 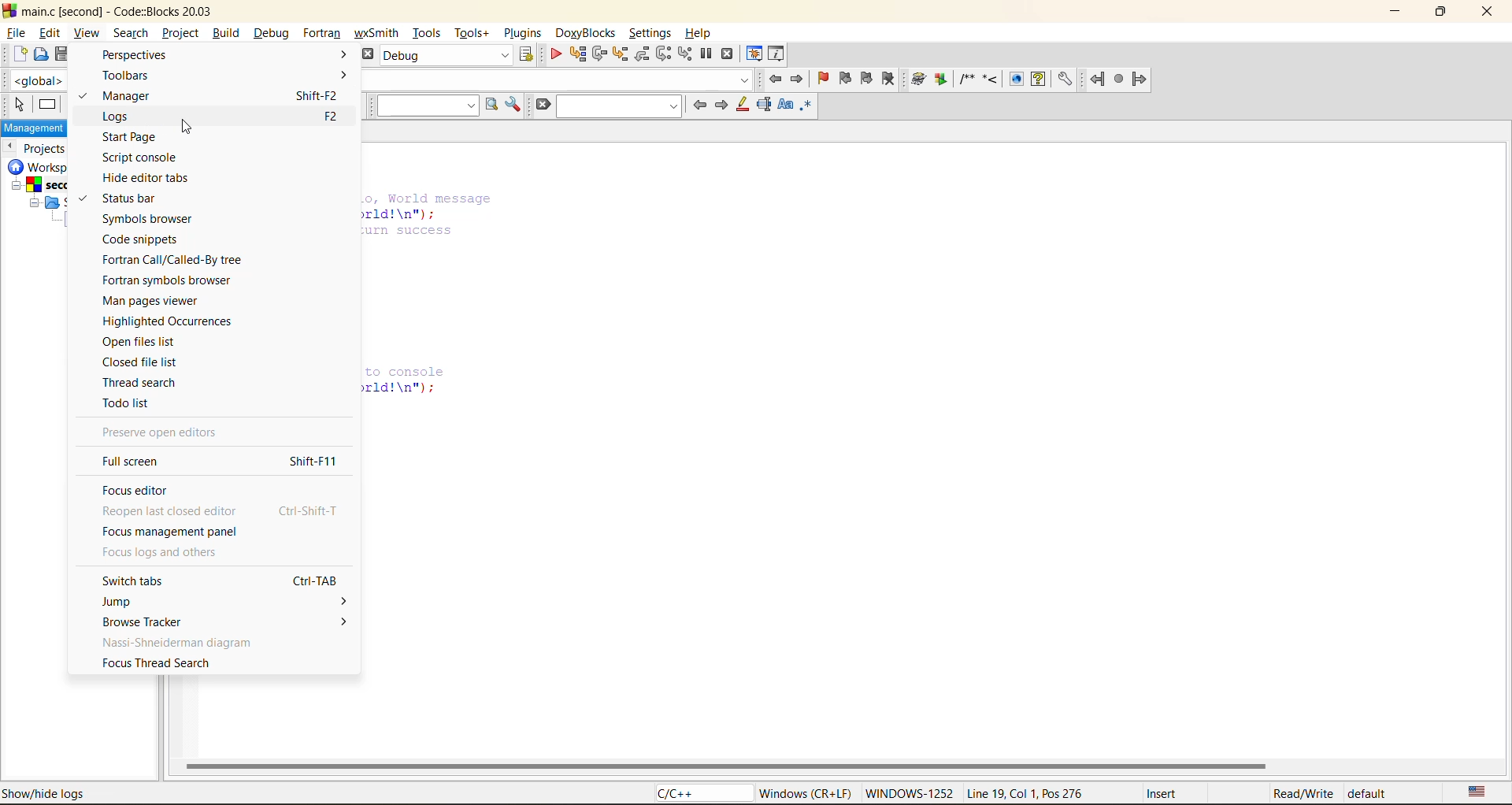 I want to click on close, so click(x=1492, y=14).